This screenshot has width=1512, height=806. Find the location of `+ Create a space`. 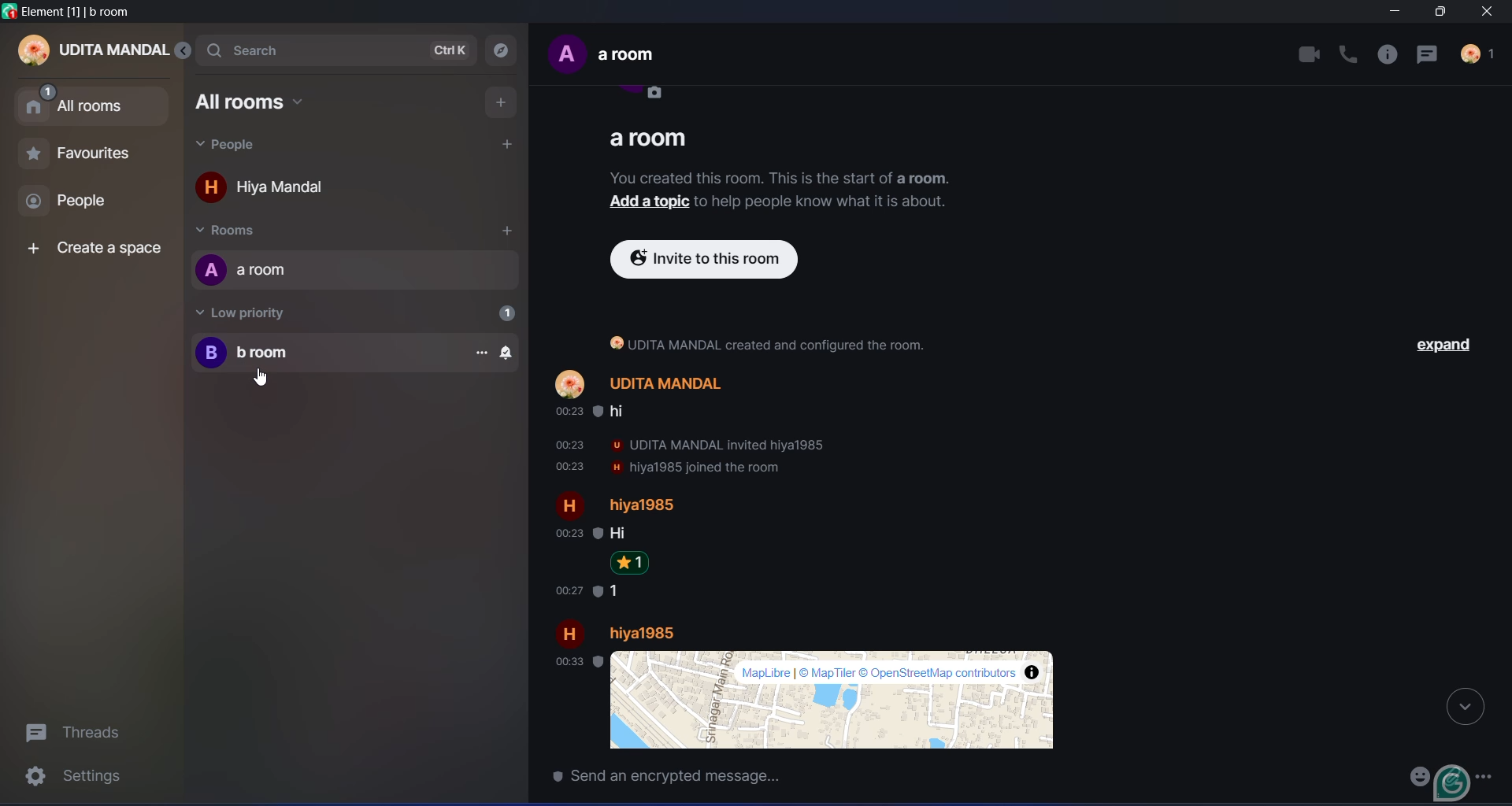

+ Create a space is located at coordinates (91, 250).